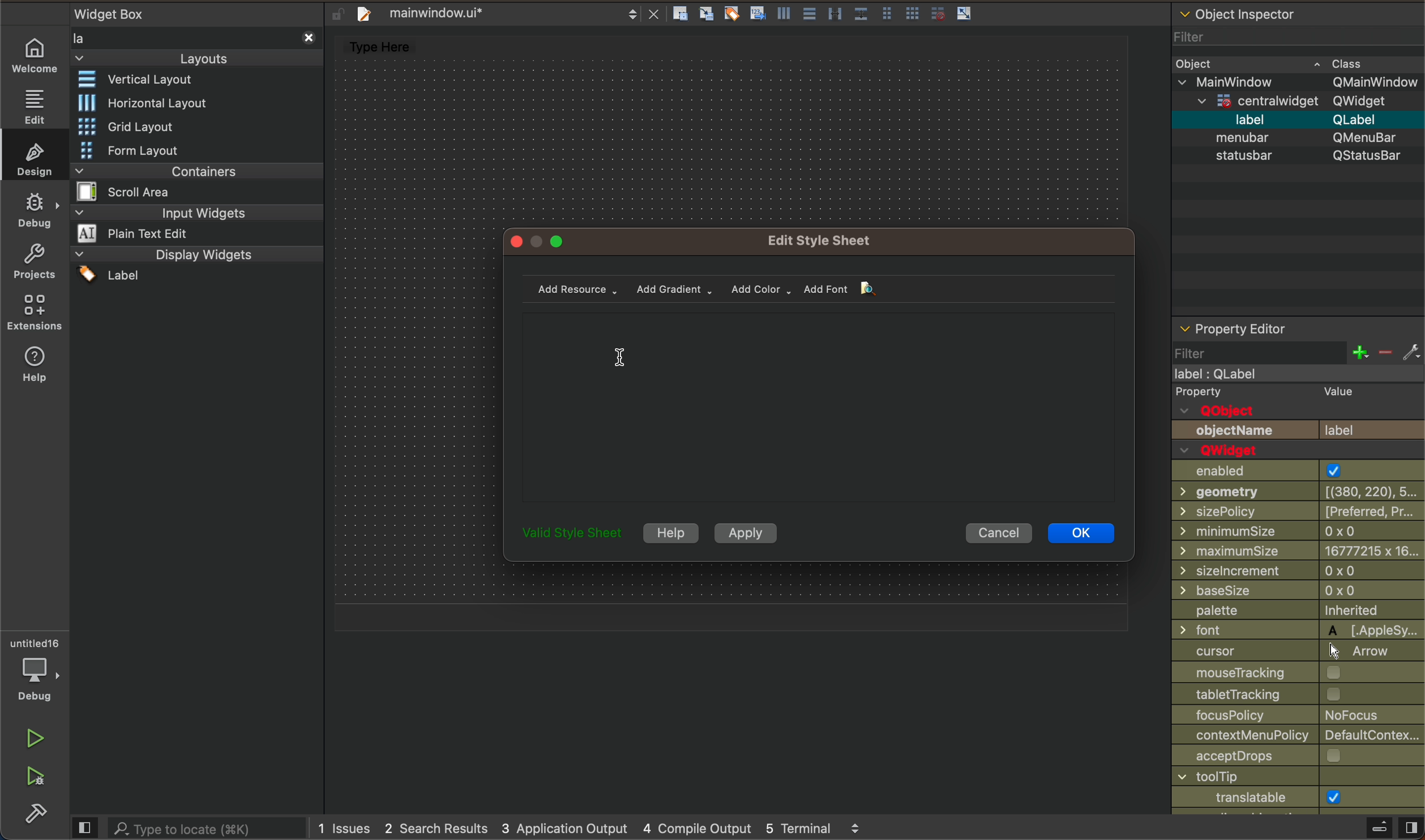 The height and width of the screenshot is (840, 1425). What do you see at coordinates (743, 533) in the screenshot?
I see `apply` at bounding box center [743, 533].